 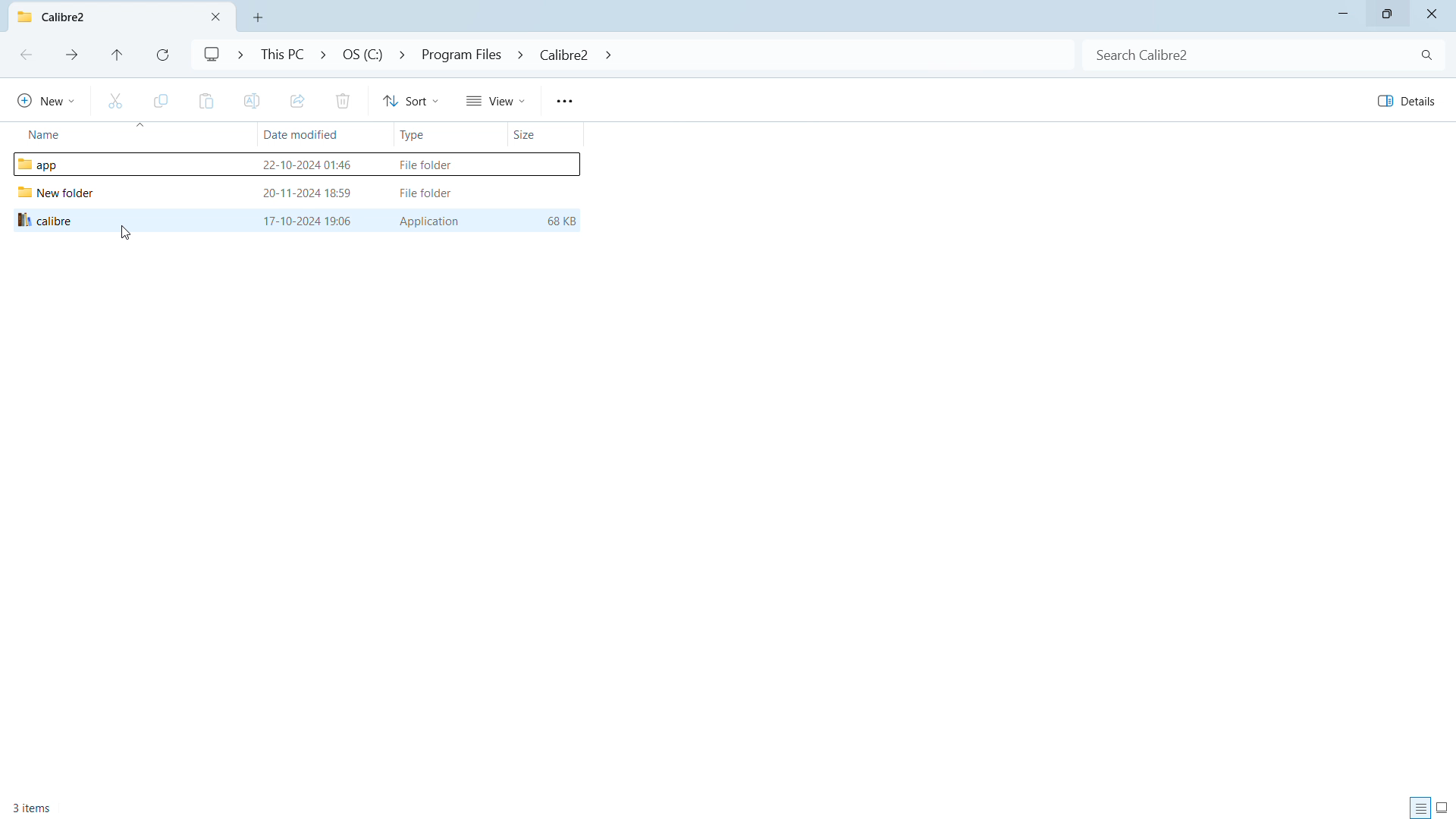 I want to click on search in folder, so click(x=1263, y=53).